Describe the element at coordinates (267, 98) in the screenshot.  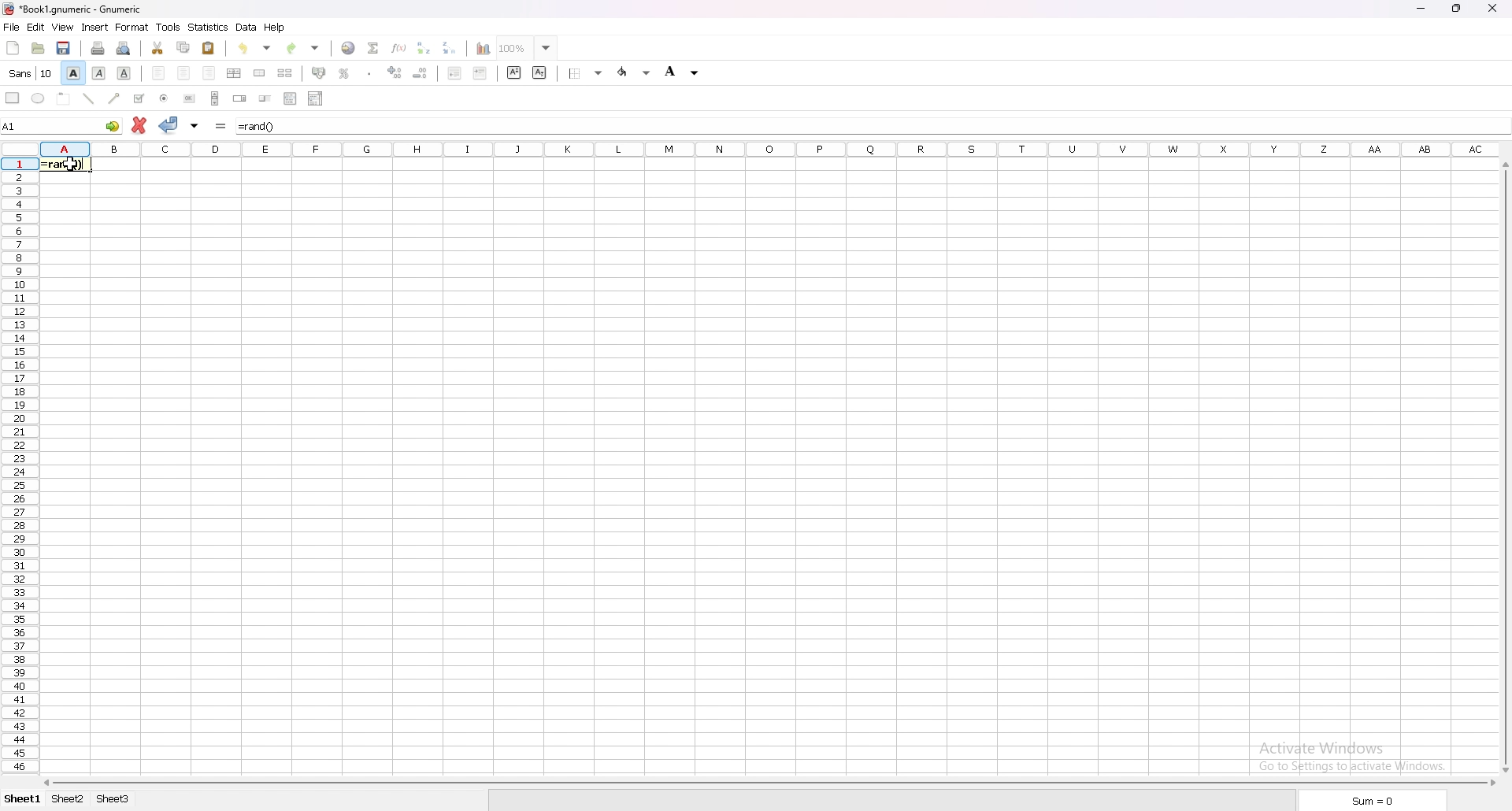
I see `slider` at that location.